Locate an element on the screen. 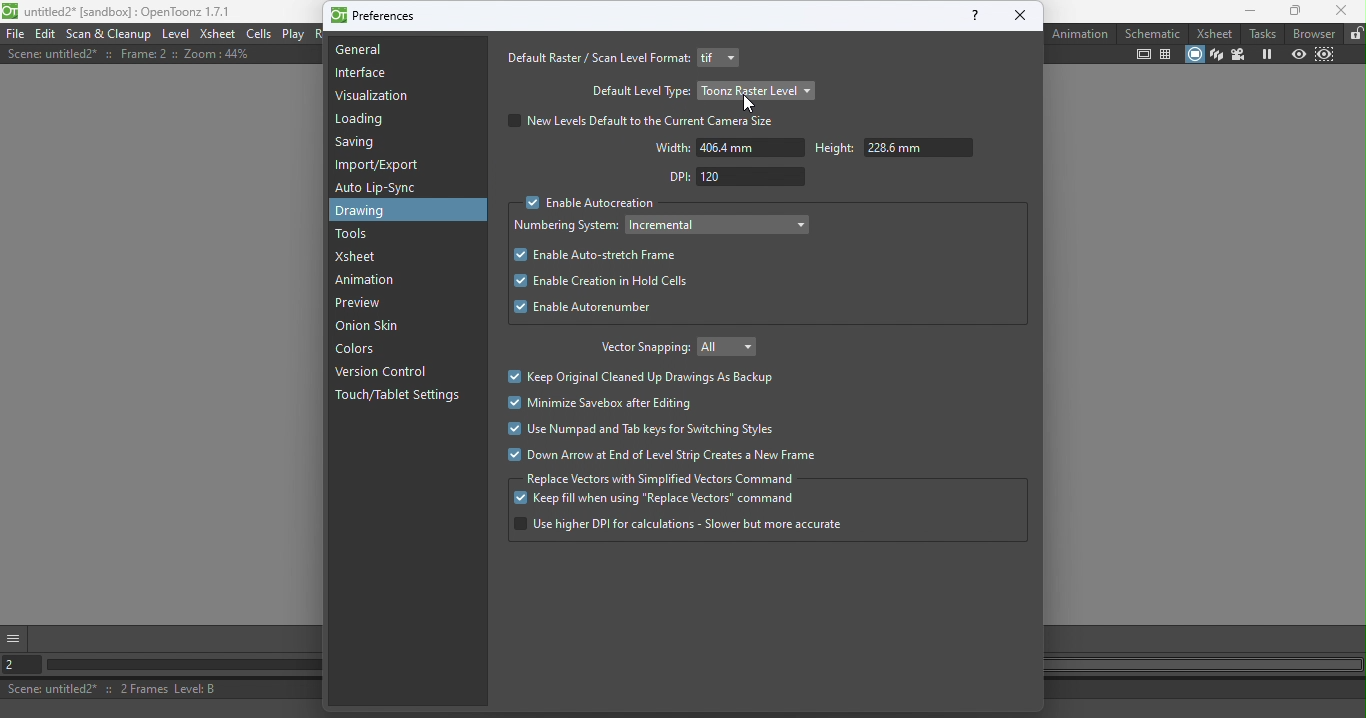 Image resolution: width=1366 pixels, height=718 pixels. Cells is located at coordinates (259, 34).